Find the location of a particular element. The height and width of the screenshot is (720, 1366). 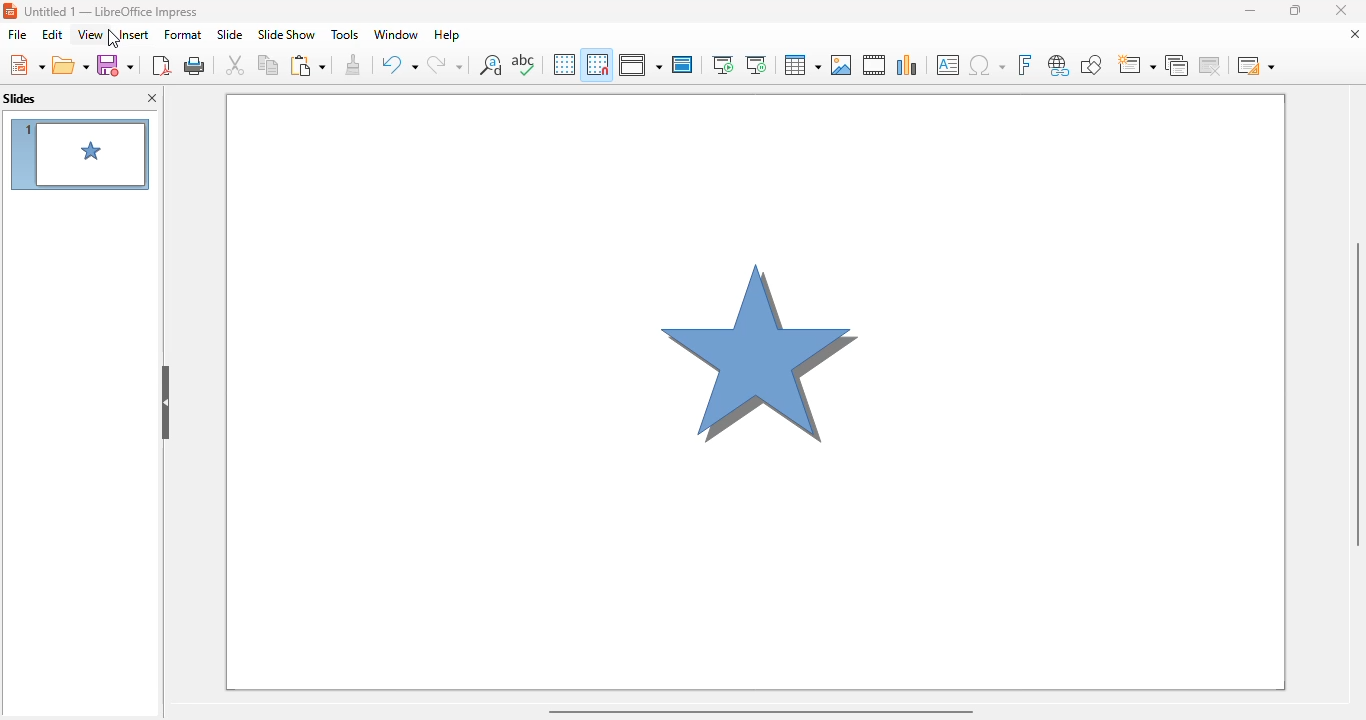

insert audio or video is located at coordinates (875, 65).